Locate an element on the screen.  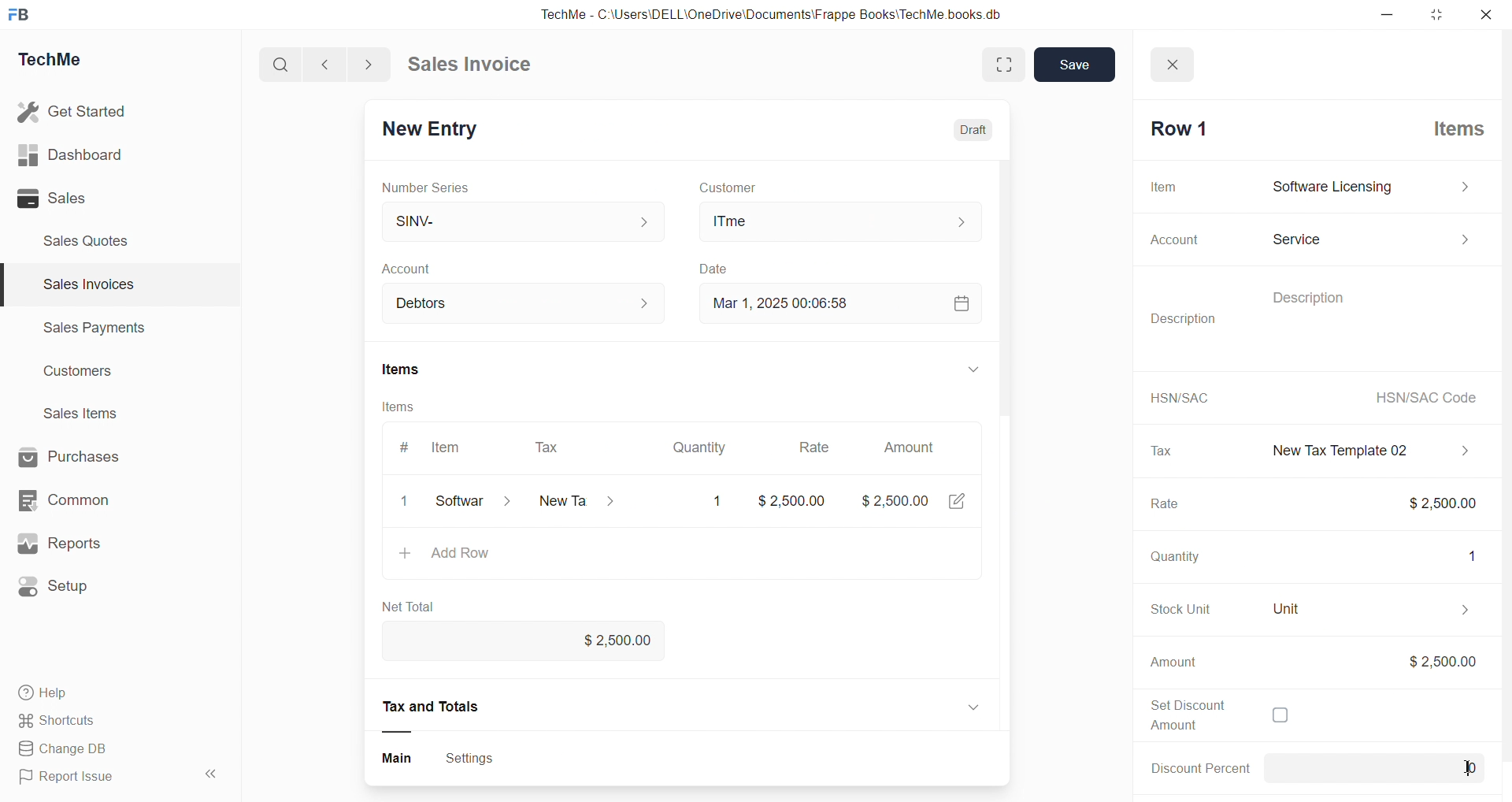
Sales Invoice is located at coordinates (476, 66).